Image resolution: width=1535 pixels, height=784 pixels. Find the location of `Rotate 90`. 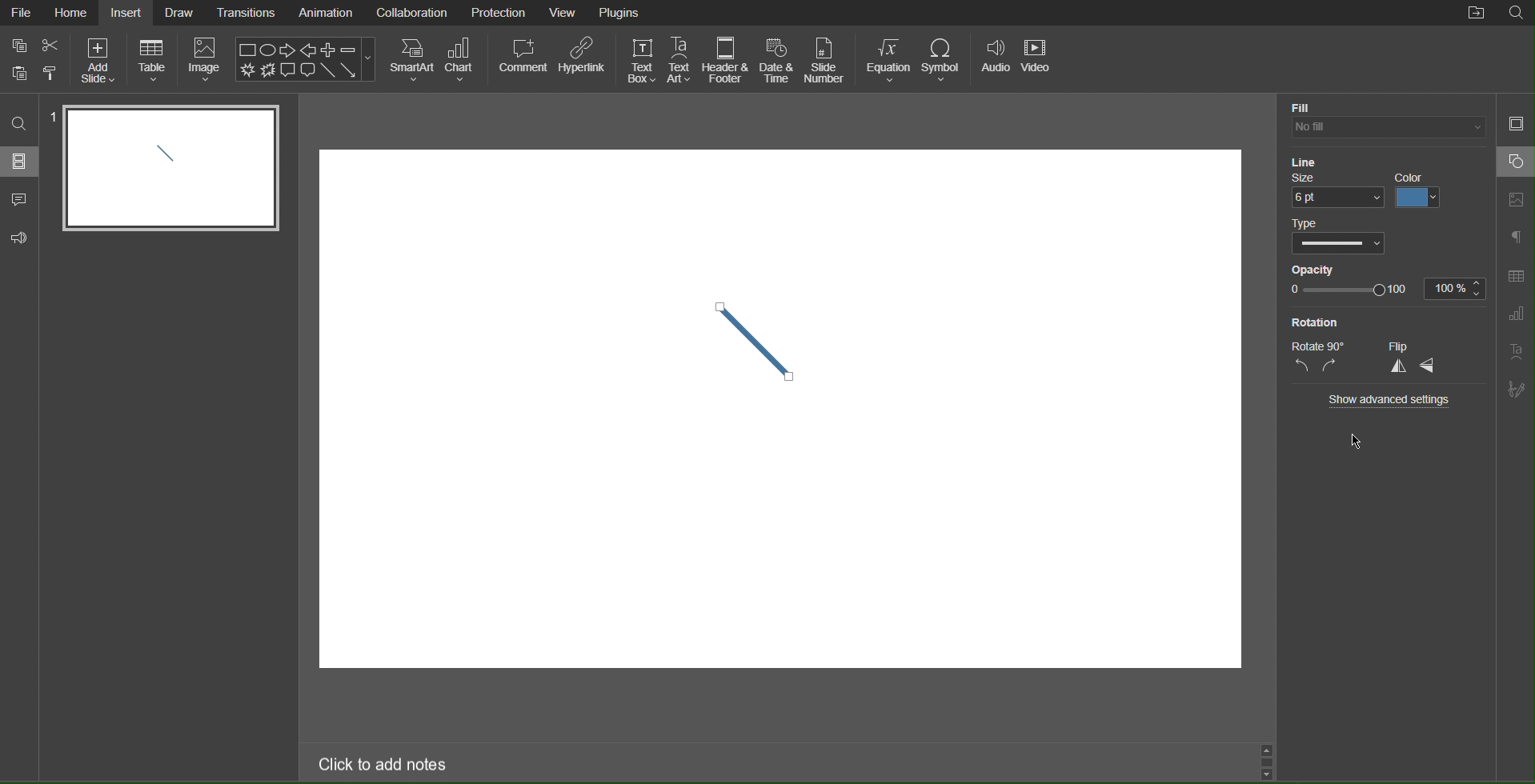

Rotate 90 is located at coordinates (1319, 346).